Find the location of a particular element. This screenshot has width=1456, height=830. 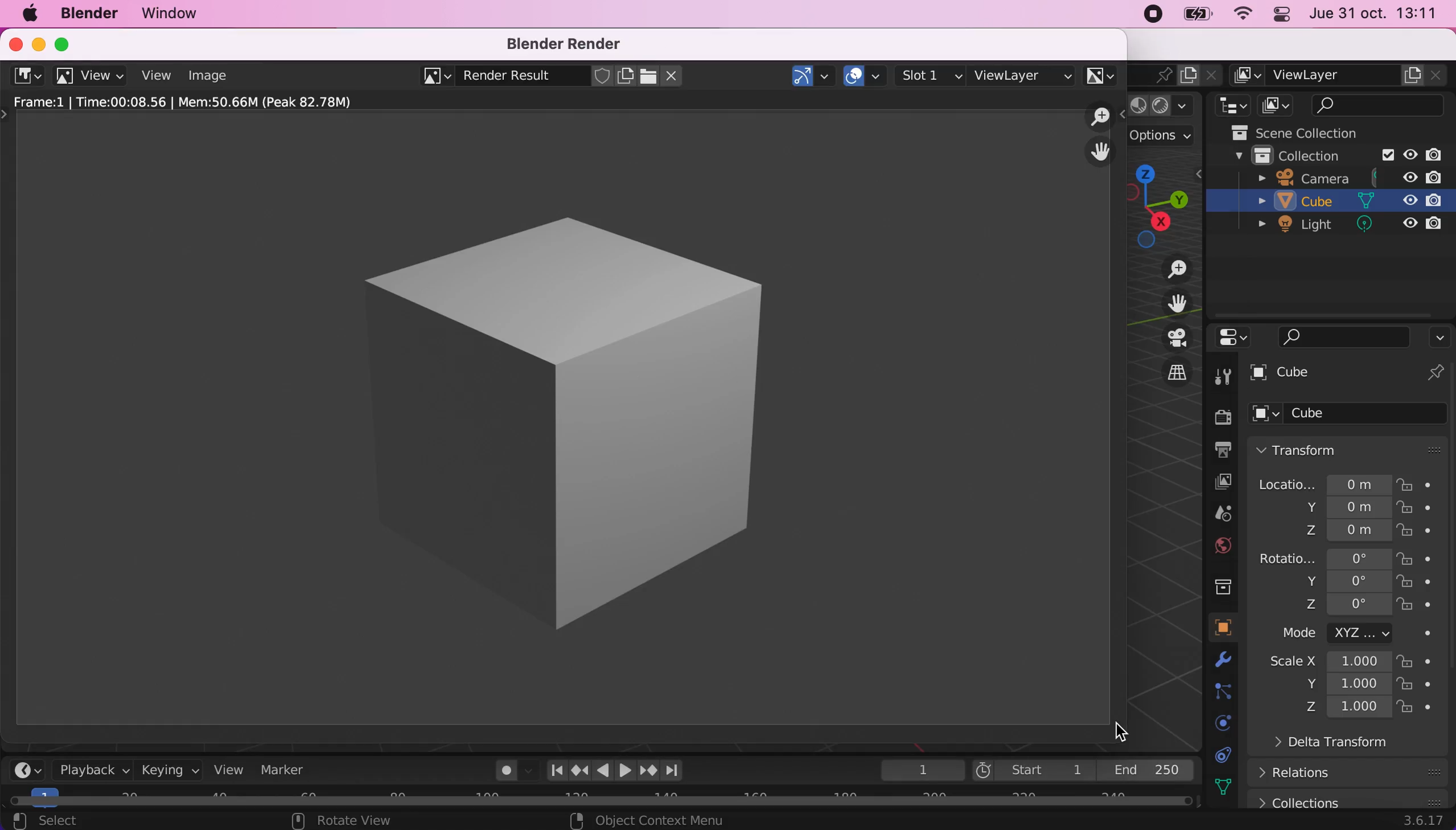

options is located at coordinates (1163, 138).